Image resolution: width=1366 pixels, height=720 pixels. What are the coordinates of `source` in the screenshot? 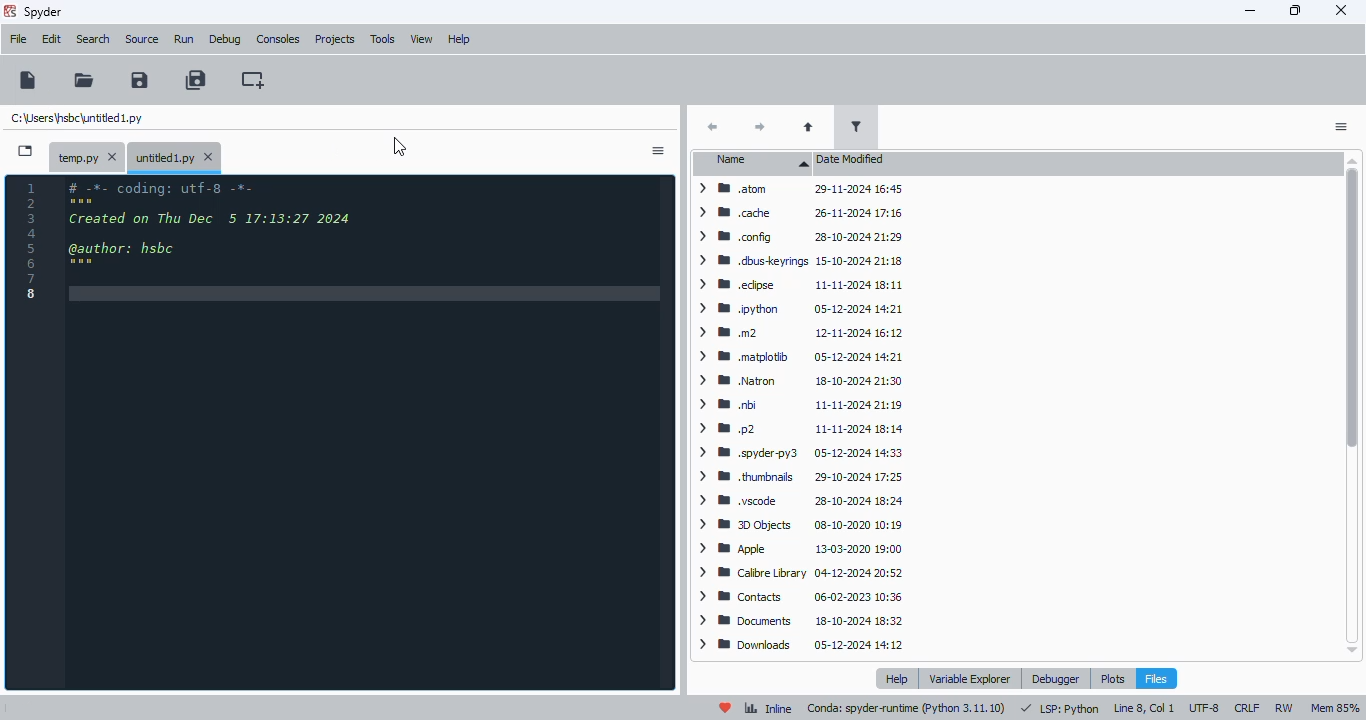 It's located at (143, 40).